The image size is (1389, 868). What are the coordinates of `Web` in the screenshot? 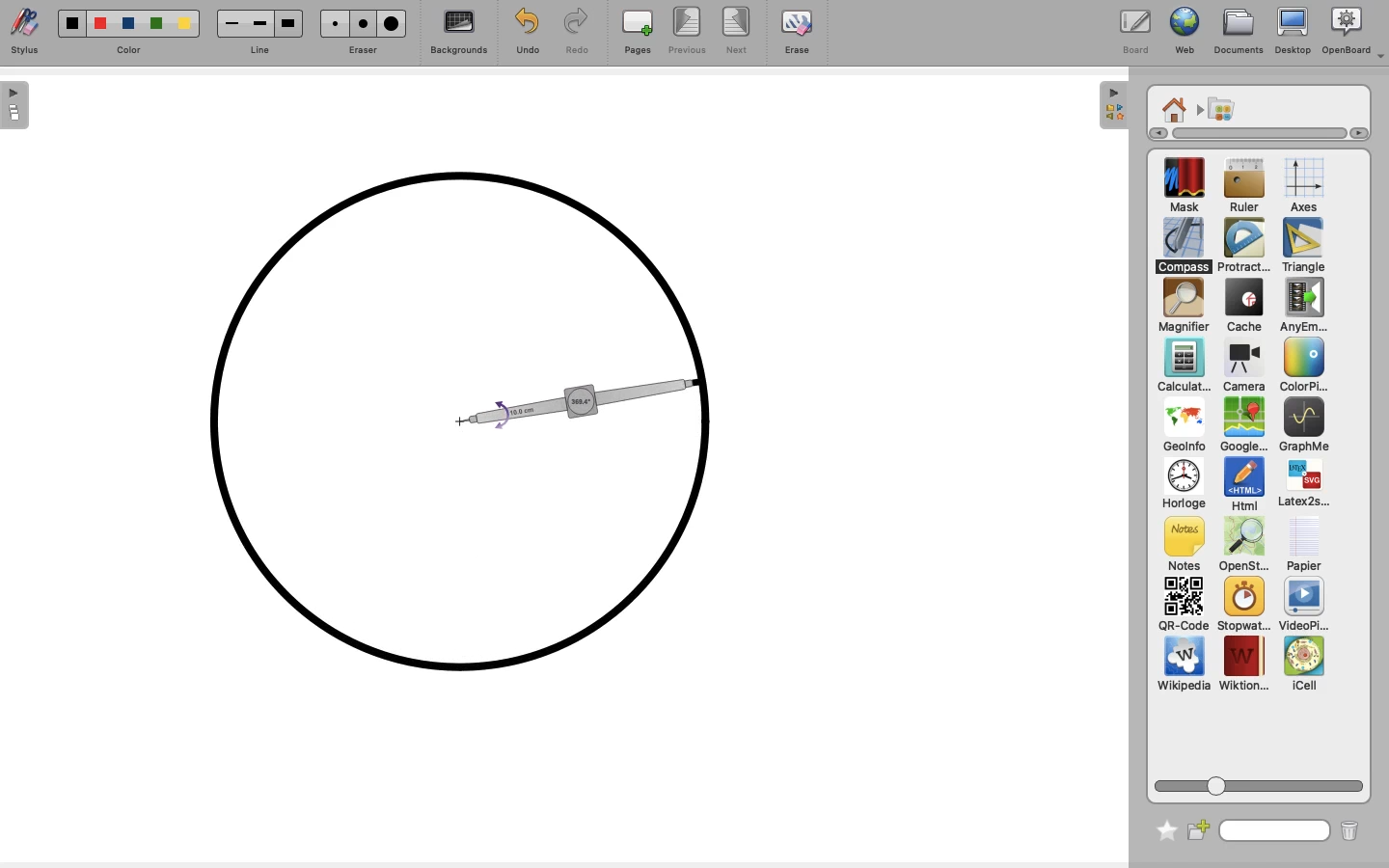 It's located at (1182, 33).